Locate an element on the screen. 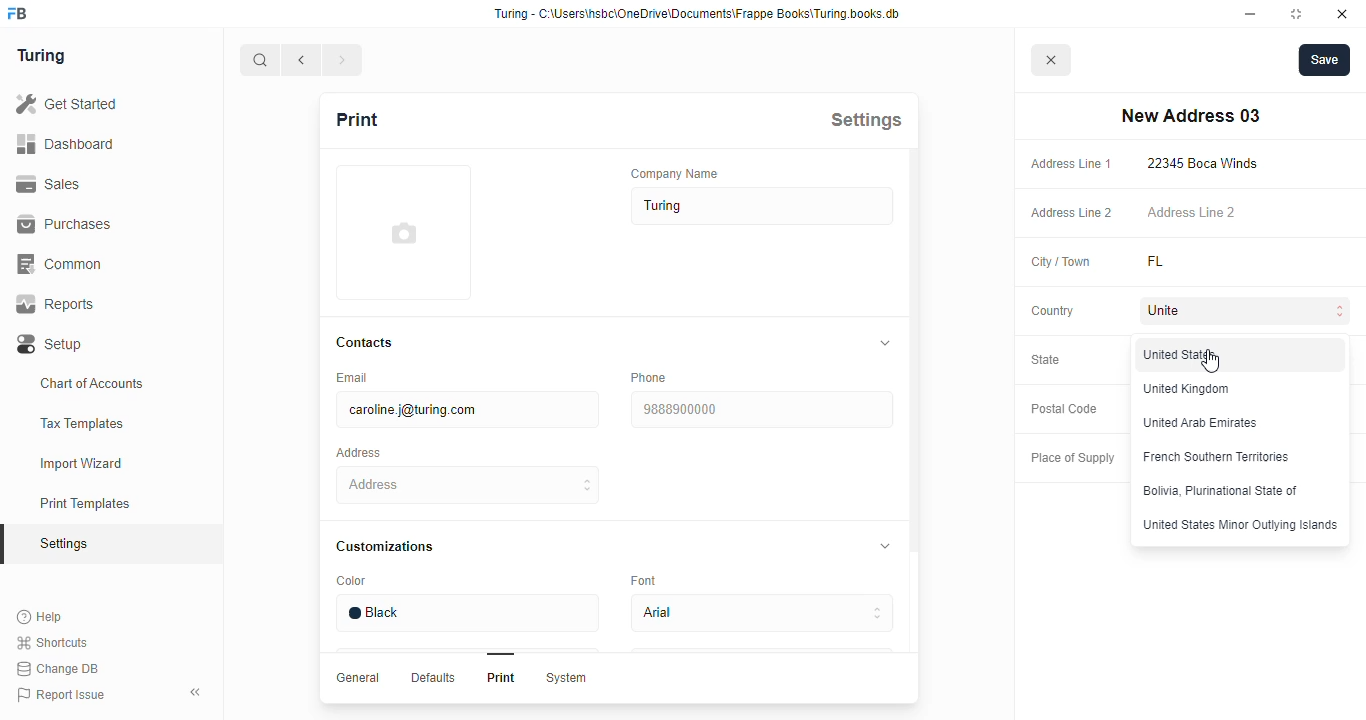 The image size is (1366, 720). change DB is located at coordinates (57, 669).